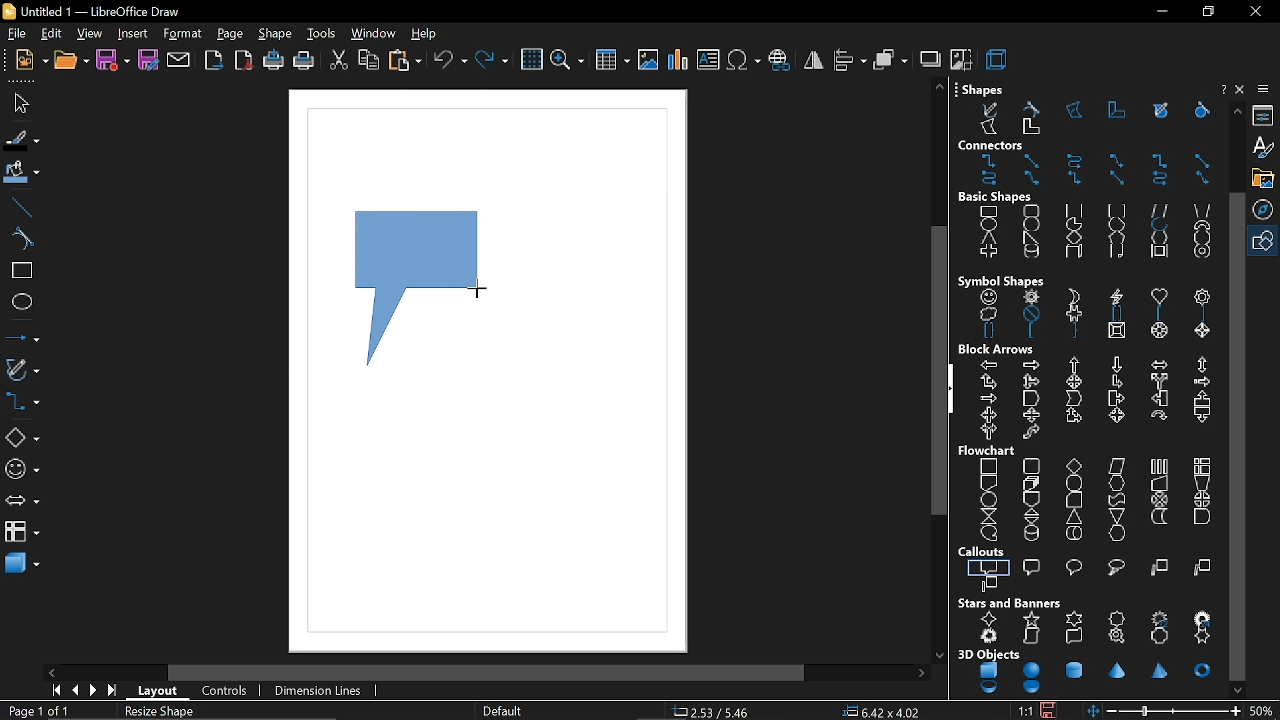 Image resolution: width=1280 pixels, height=720 pixels. I want to click on block arc, so click(1202, 225).